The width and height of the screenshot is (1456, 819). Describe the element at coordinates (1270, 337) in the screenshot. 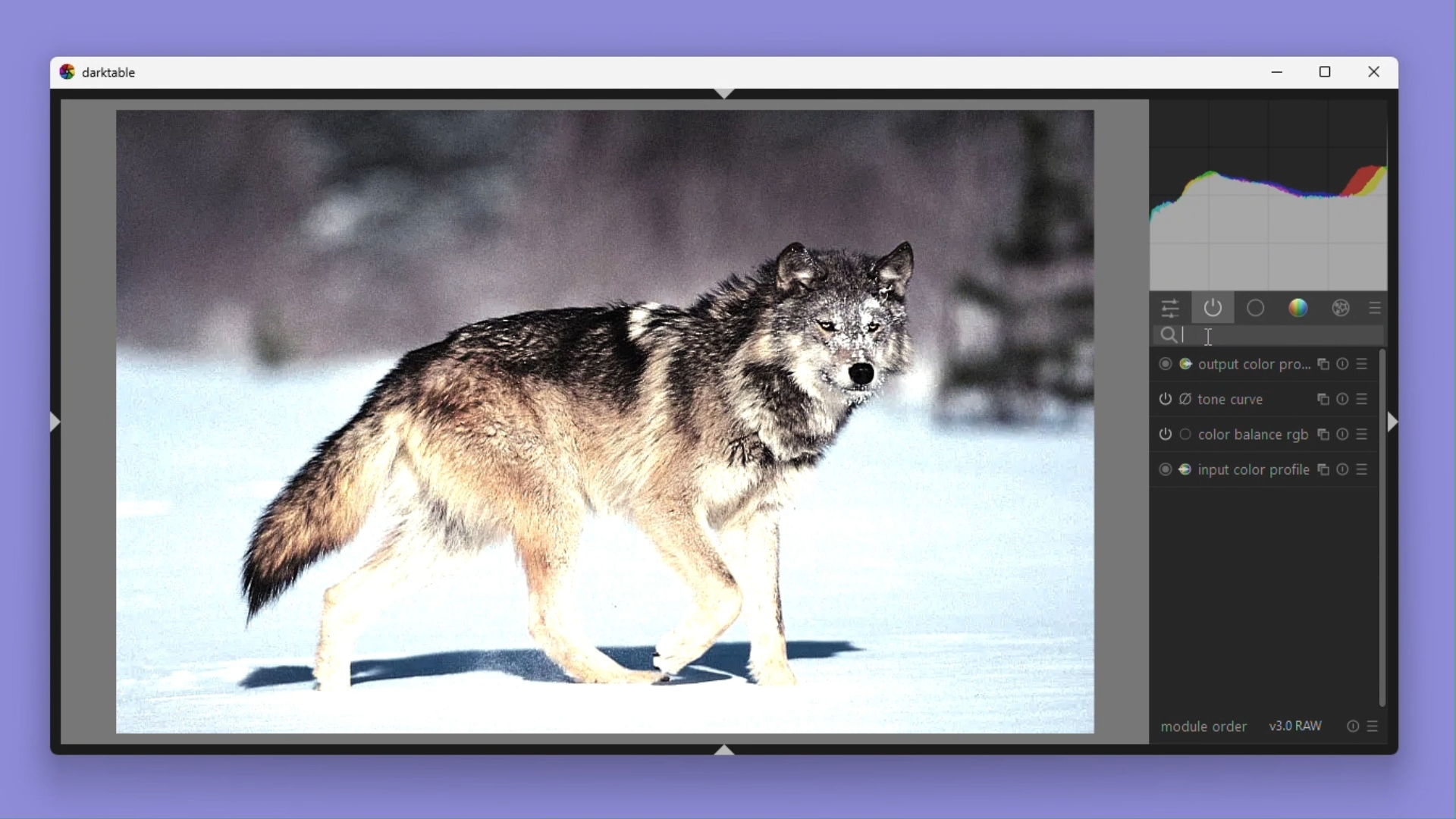

I see `Search bar` at that location.